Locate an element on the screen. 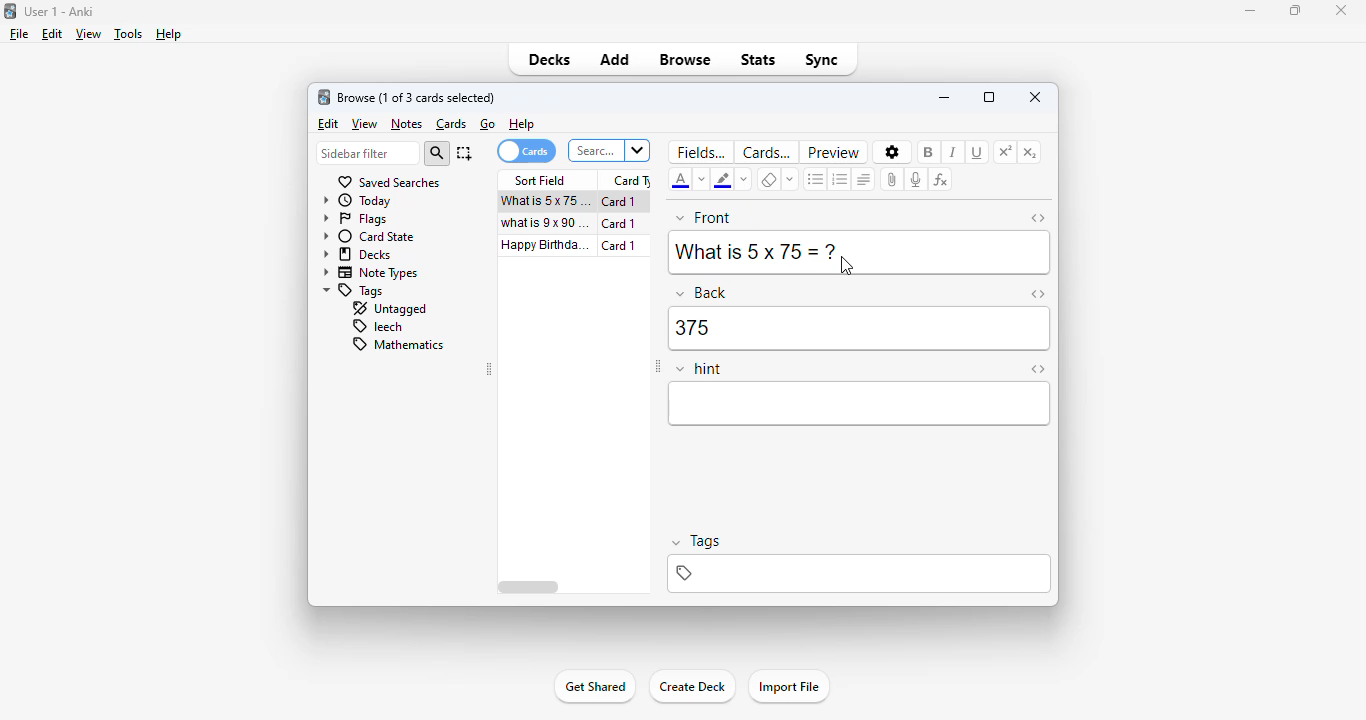 The width and height of the screenshot is (1366, 720). What is 5 x 75=? is located at coordinates (753, 251).